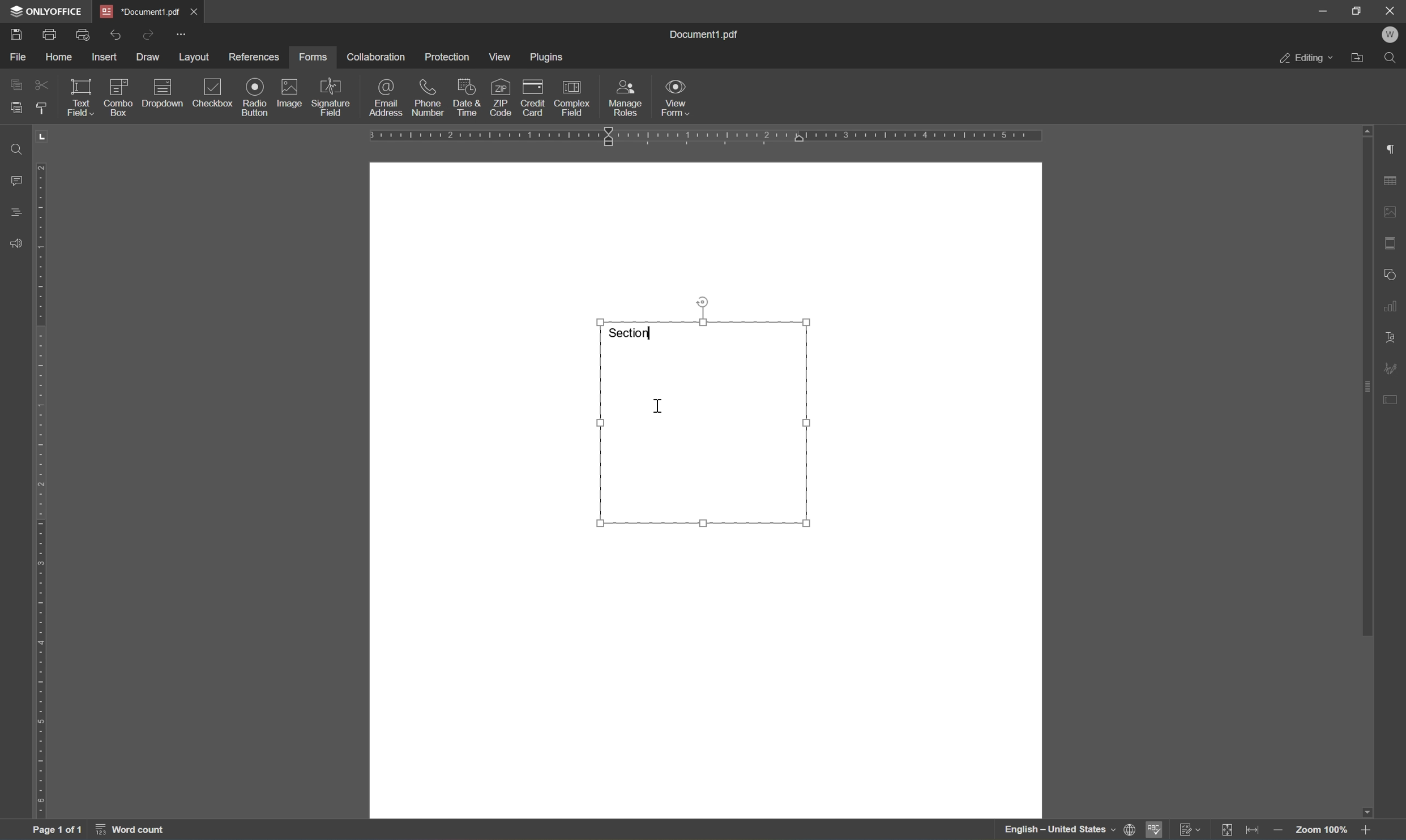  Describe the element at coordinates (1153, 830) in the screenshot. I see `spell checking` at that location.